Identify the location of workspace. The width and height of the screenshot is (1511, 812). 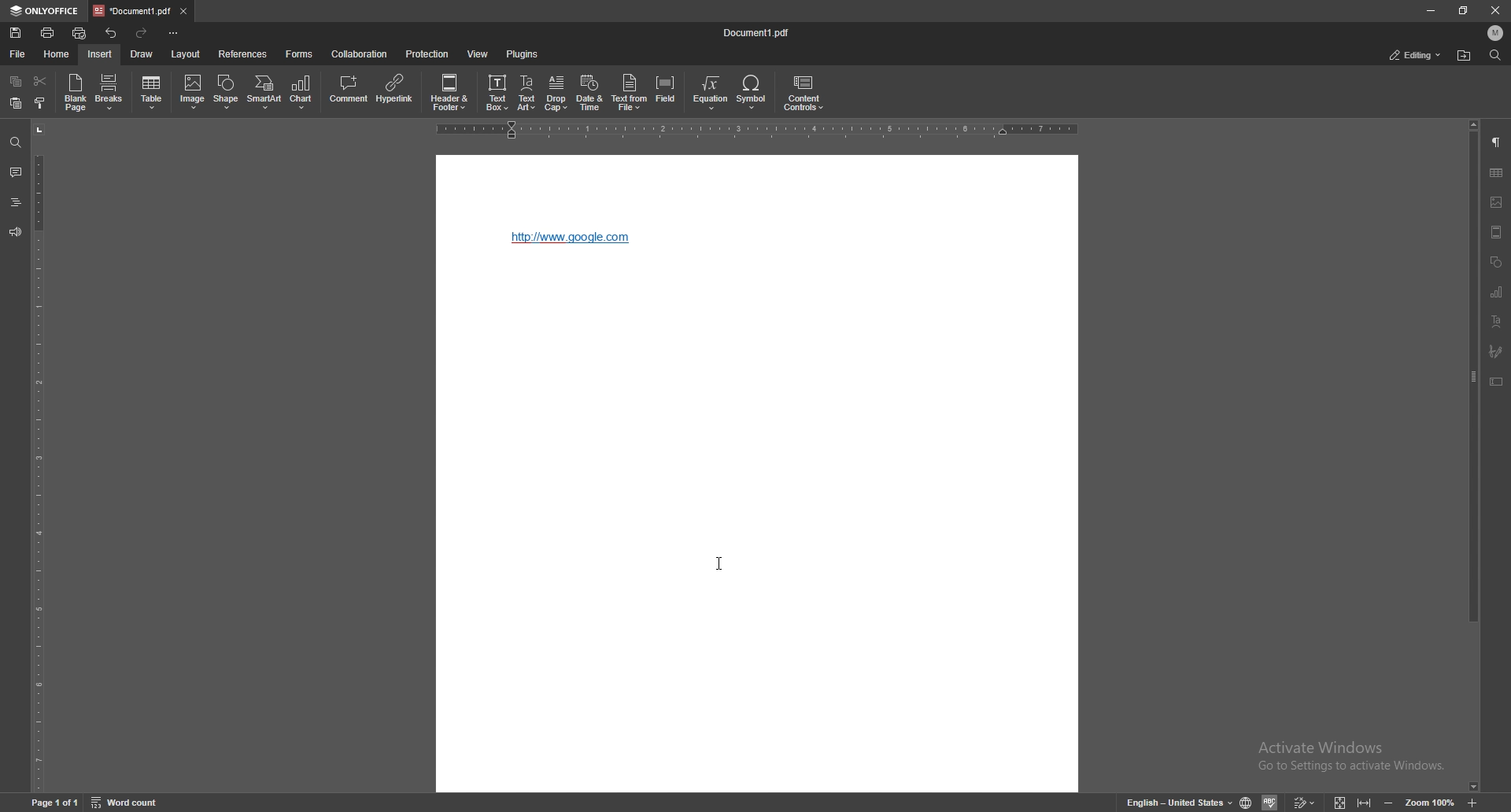
(758, 533).